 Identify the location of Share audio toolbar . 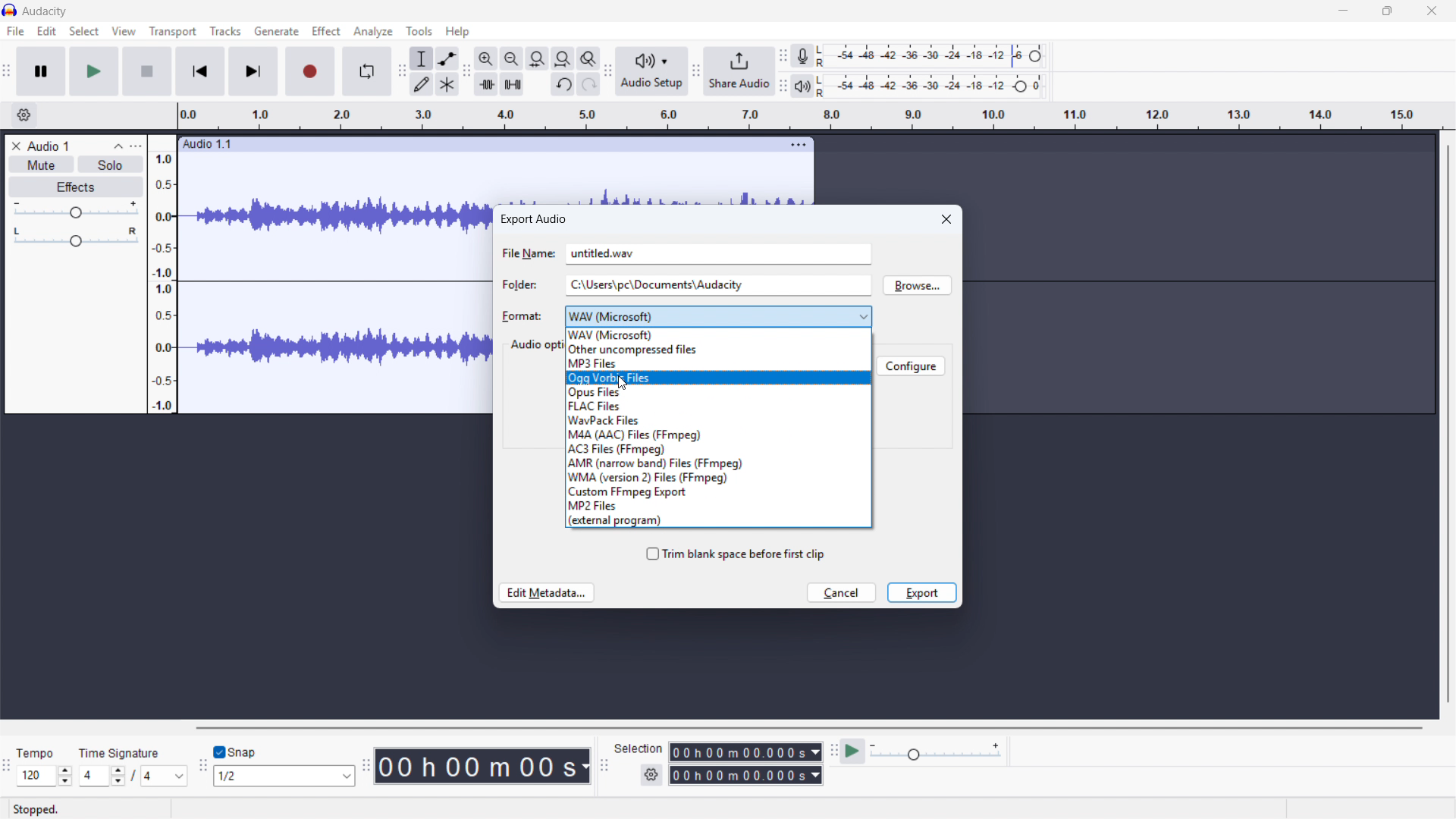
(696, 71).